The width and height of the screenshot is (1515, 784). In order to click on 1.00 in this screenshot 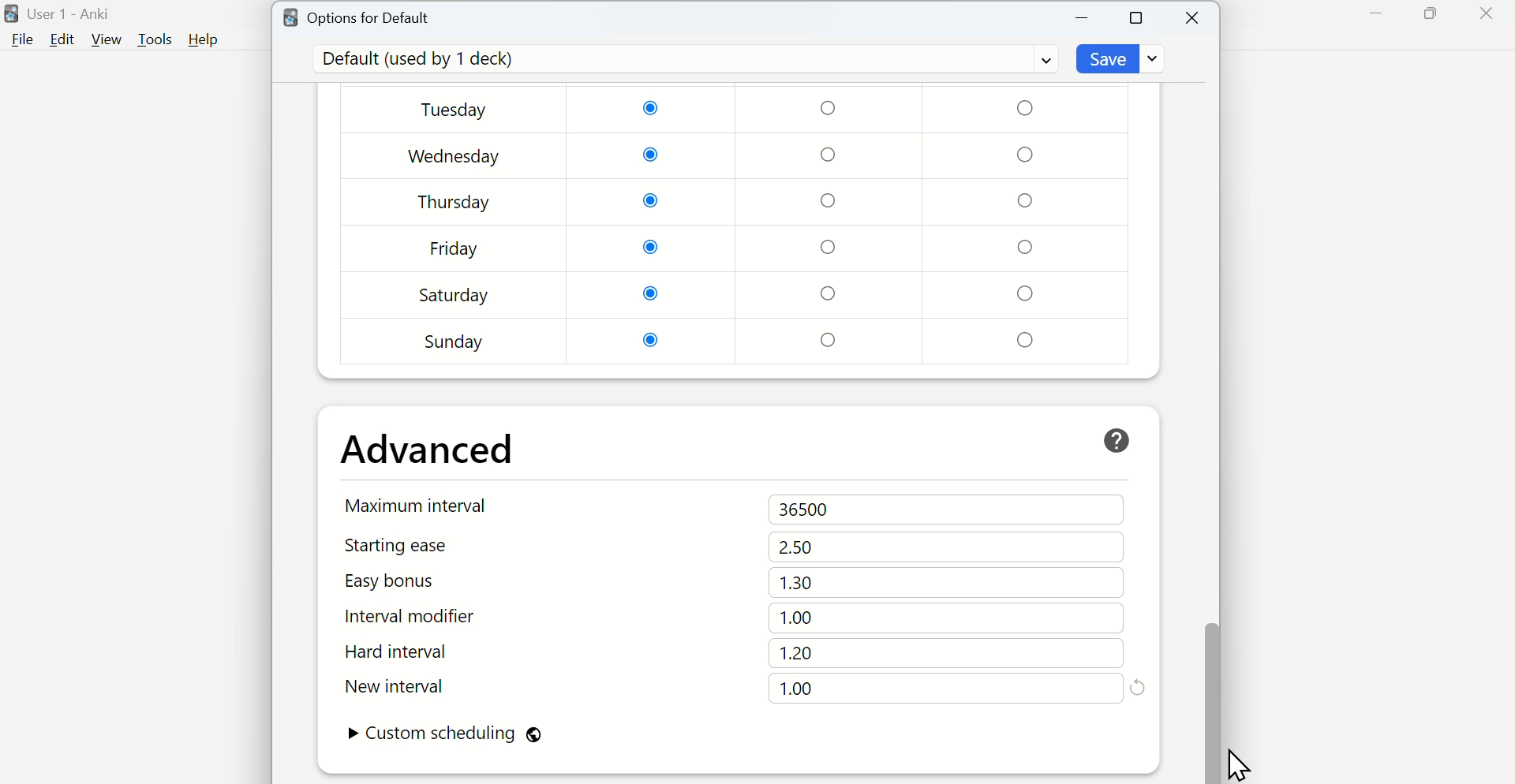, I will do `click(799, 618)`.